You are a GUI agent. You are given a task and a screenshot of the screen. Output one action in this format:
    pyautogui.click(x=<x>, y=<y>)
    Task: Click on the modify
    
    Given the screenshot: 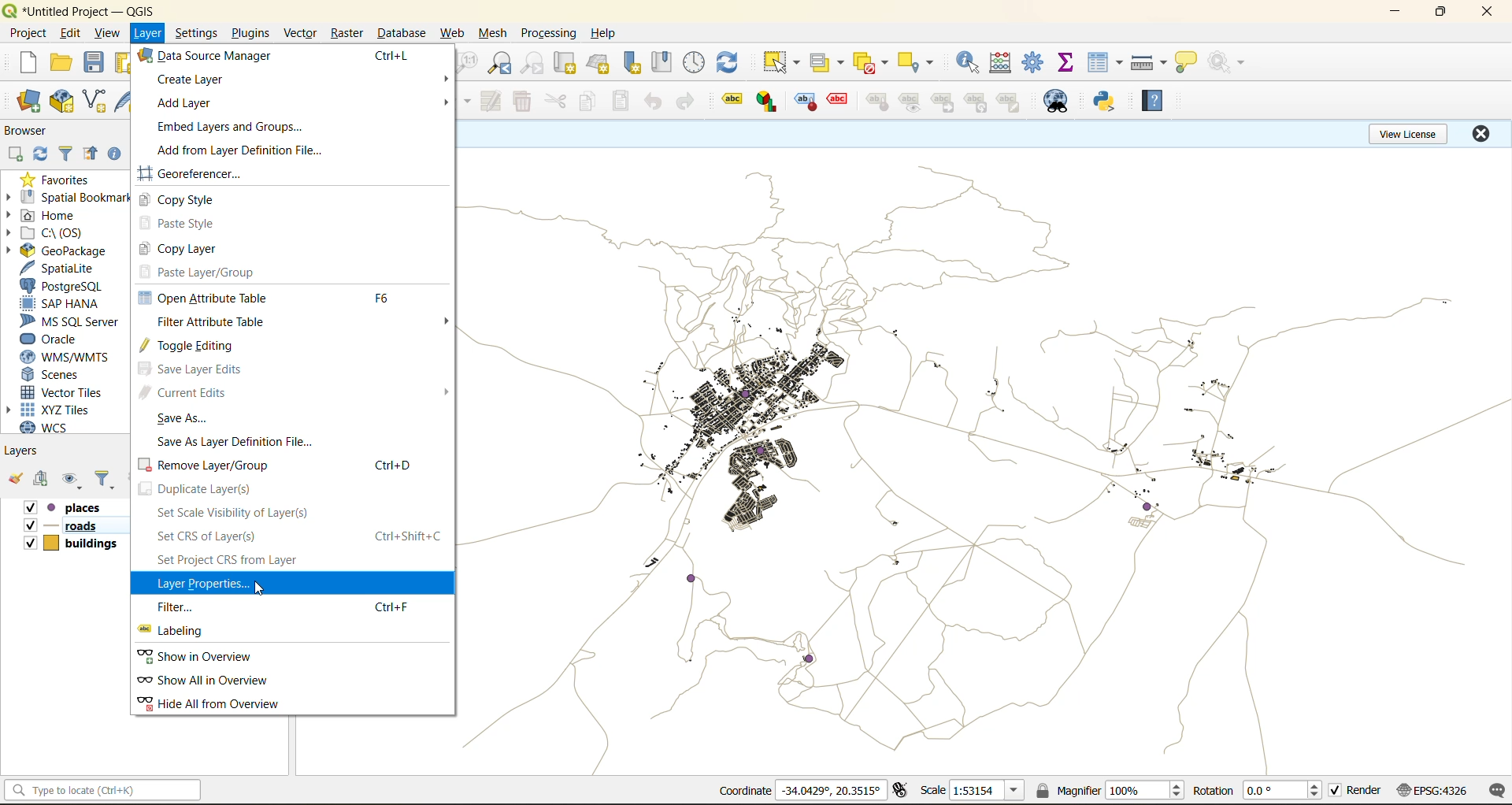 What is the action you would take?
    pyautogui.click(x=492, y=103)
    